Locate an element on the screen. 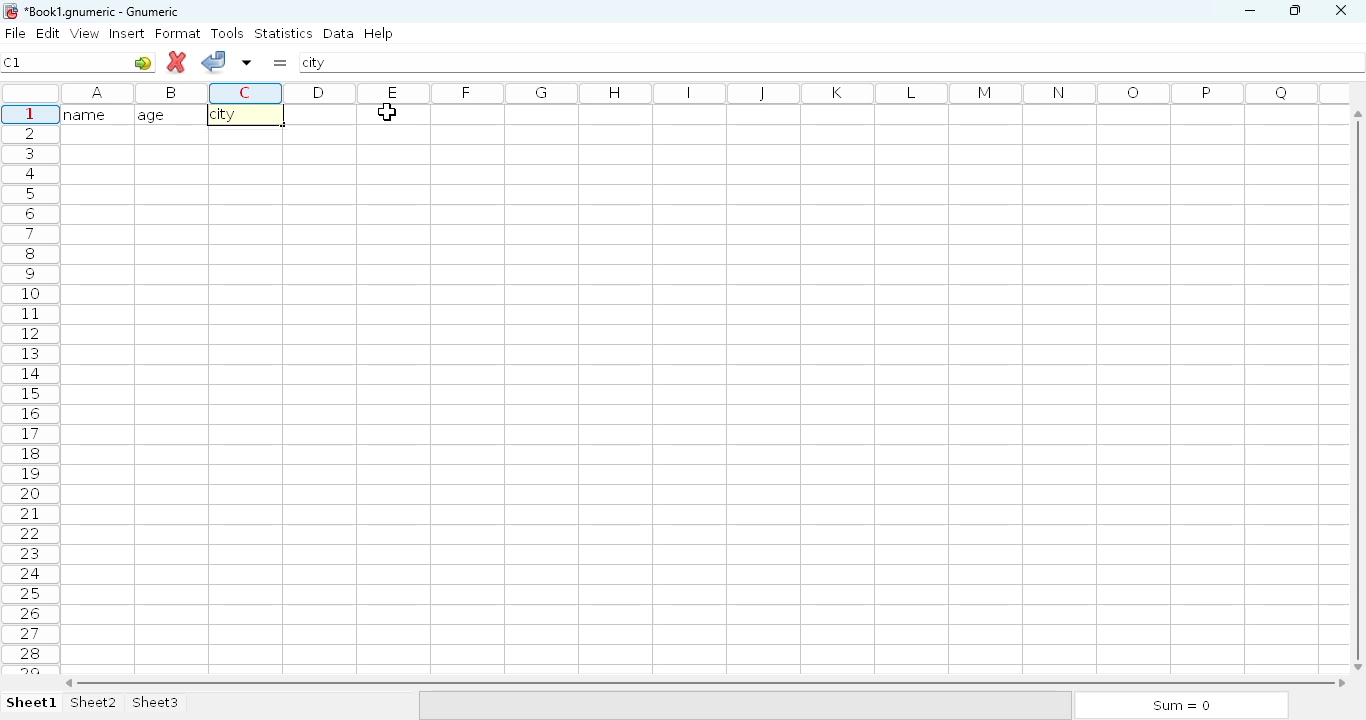  cancel change is located at coordinates (177, 62).